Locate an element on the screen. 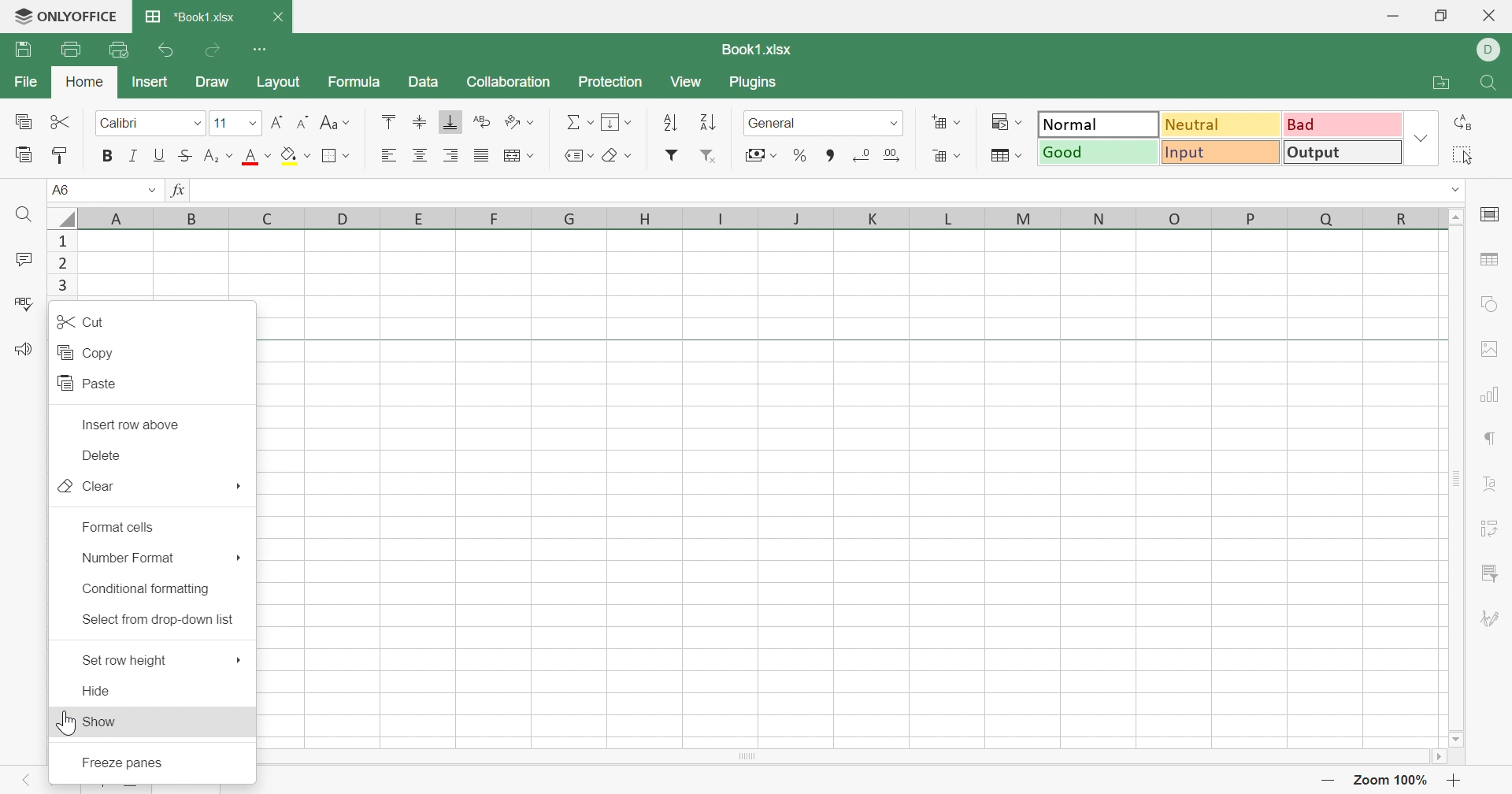 Image resolution: width=1512 pixels, height=794 pixels. General is located at coordinates (773, 124).